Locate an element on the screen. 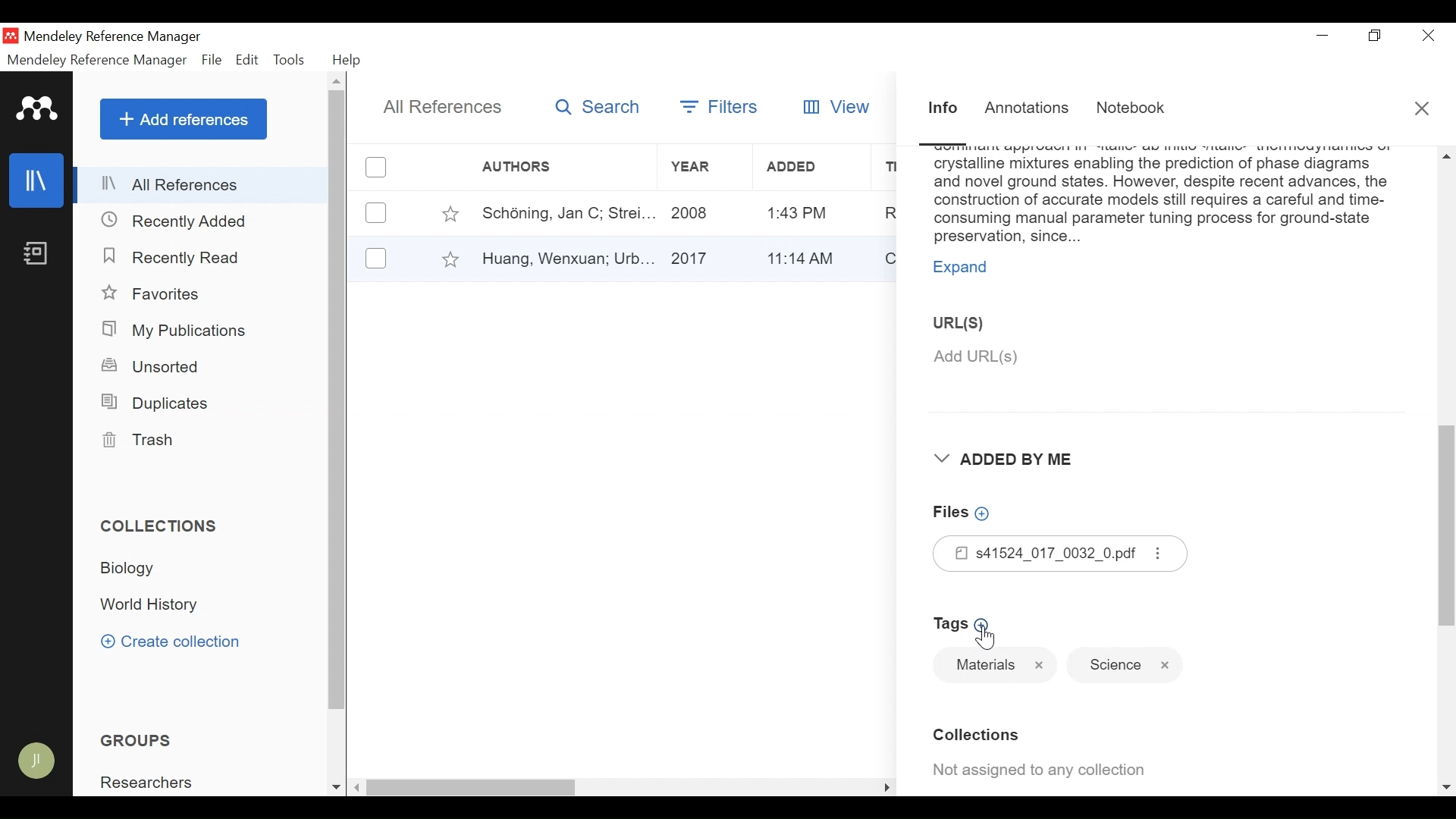  Search is located at coordinates (598, 107).